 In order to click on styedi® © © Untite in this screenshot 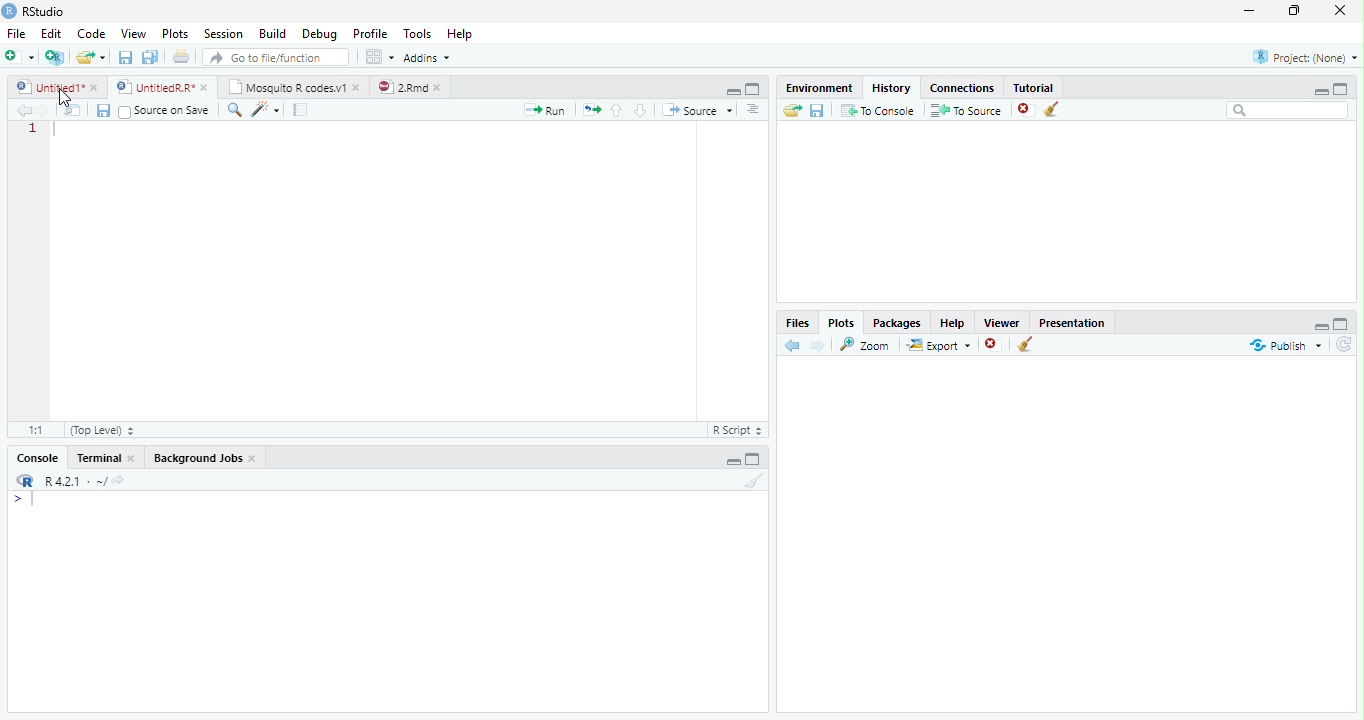, I will do `click(162, 87)`.